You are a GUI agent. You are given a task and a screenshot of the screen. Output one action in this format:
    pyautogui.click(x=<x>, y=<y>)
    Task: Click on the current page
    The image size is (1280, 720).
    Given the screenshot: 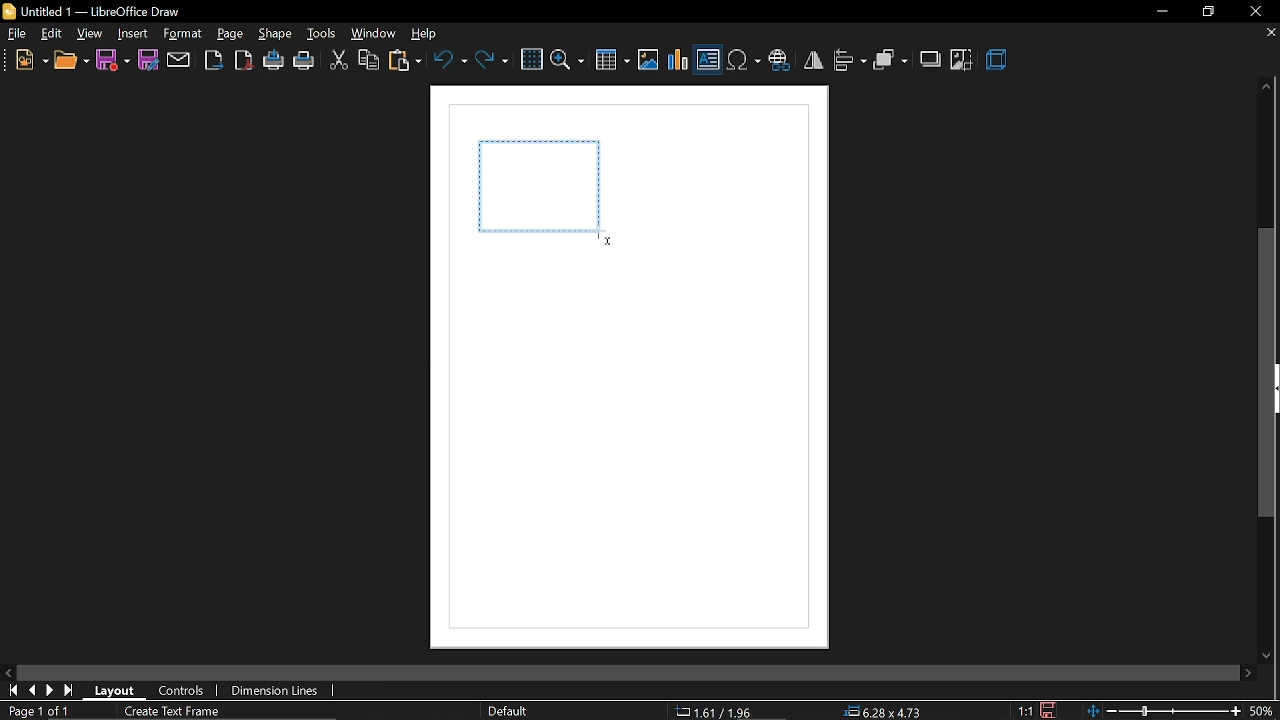 What is the action you would take?
    pyautogui.click(x=36, y=711)
    